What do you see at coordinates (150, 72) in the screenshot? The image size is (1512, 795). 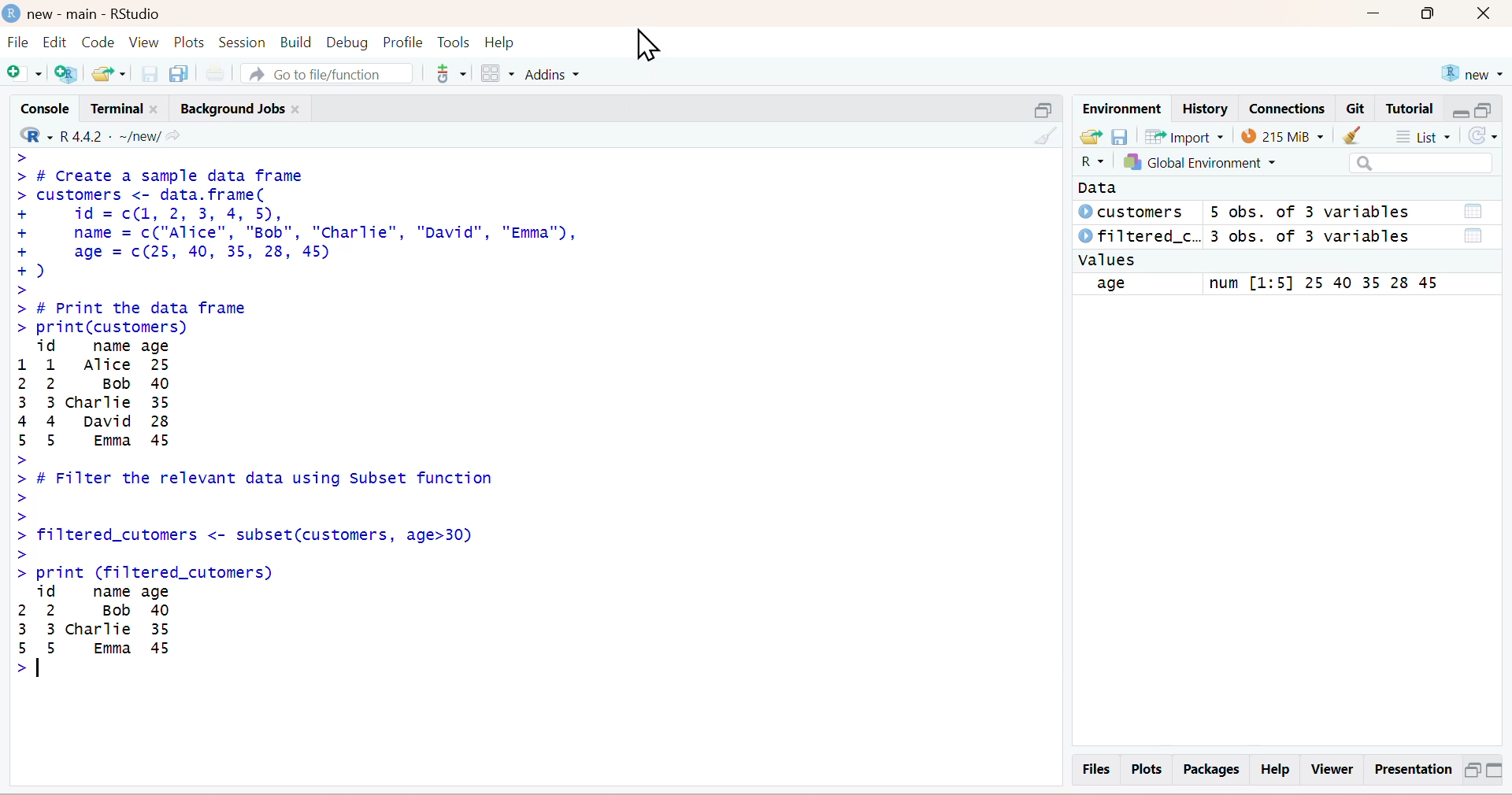 I see `save current file` at bounding box center [150, 72].